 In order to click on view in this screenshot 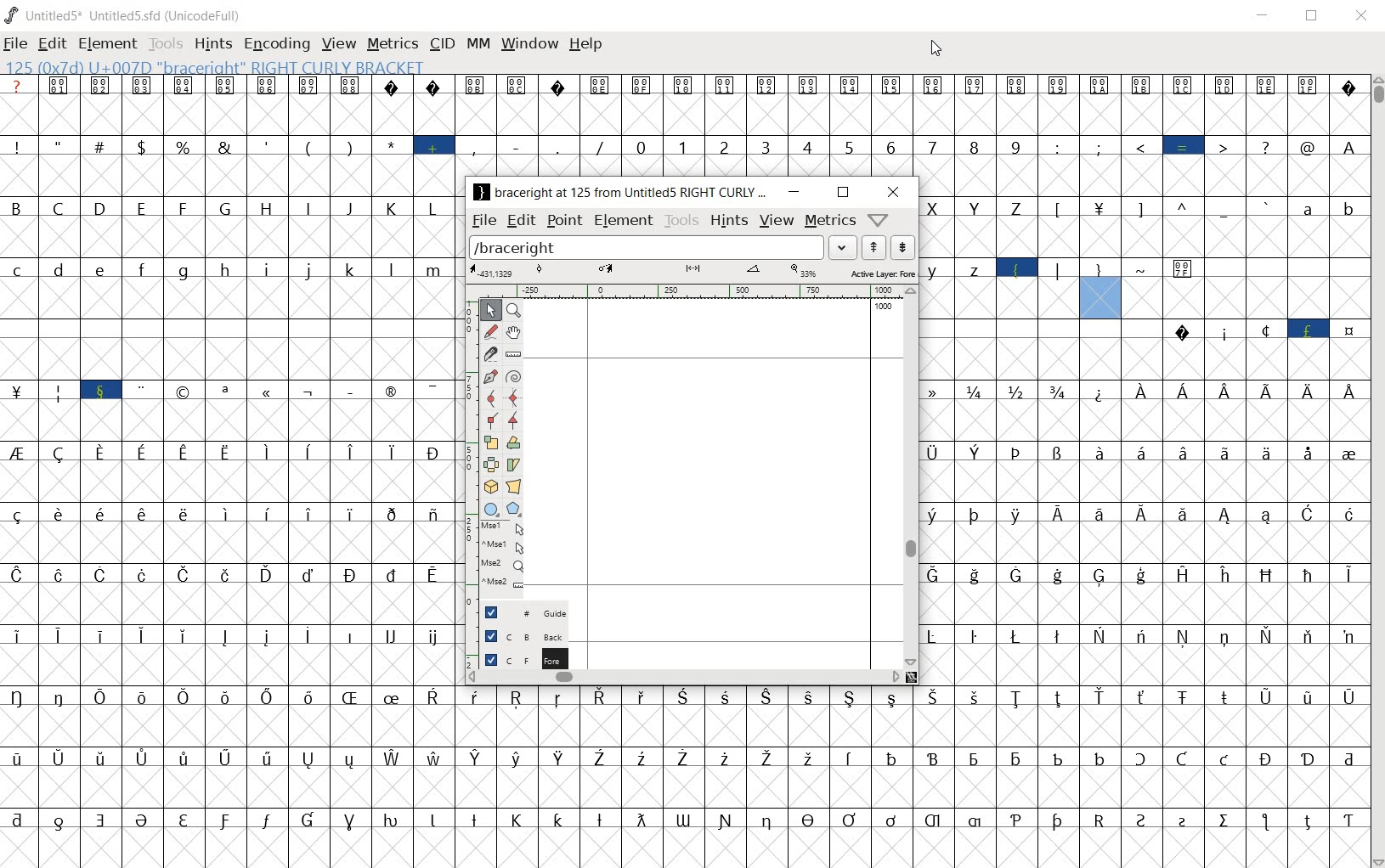, I will do `click(776, 222)`.